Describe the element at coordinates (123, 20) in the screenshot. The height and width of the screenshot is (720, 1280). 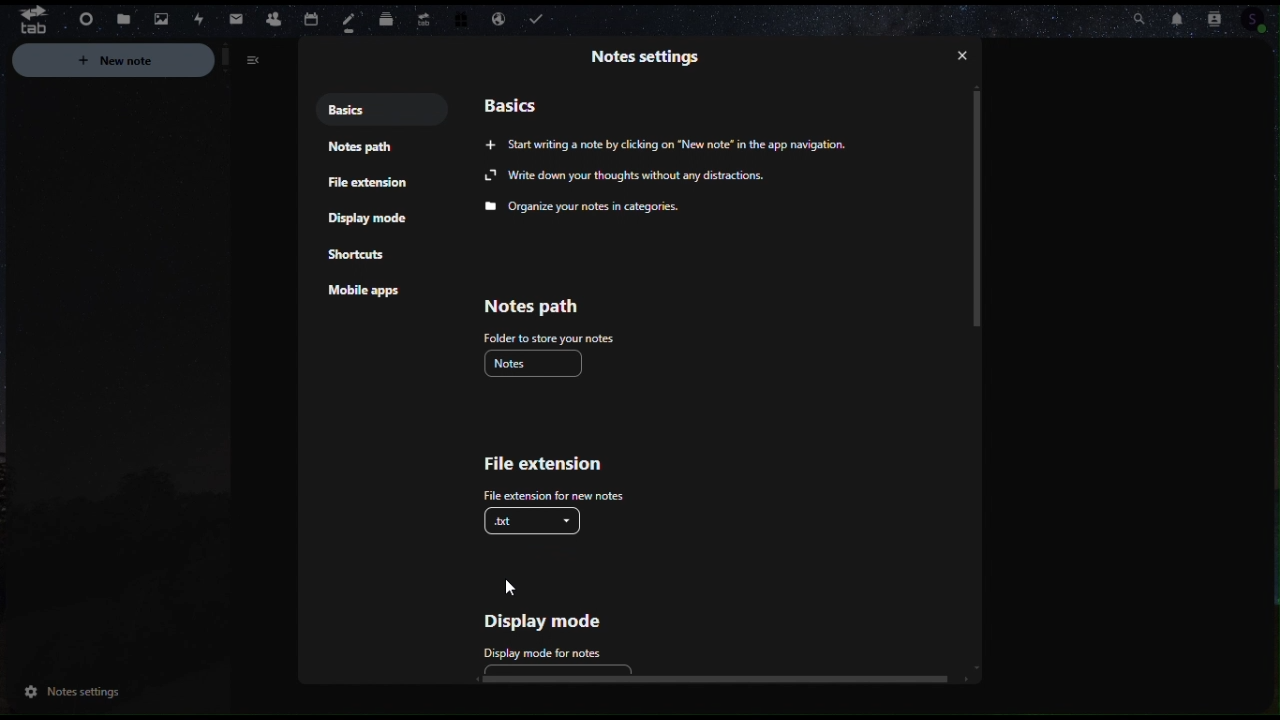
I see `Files` at that location.